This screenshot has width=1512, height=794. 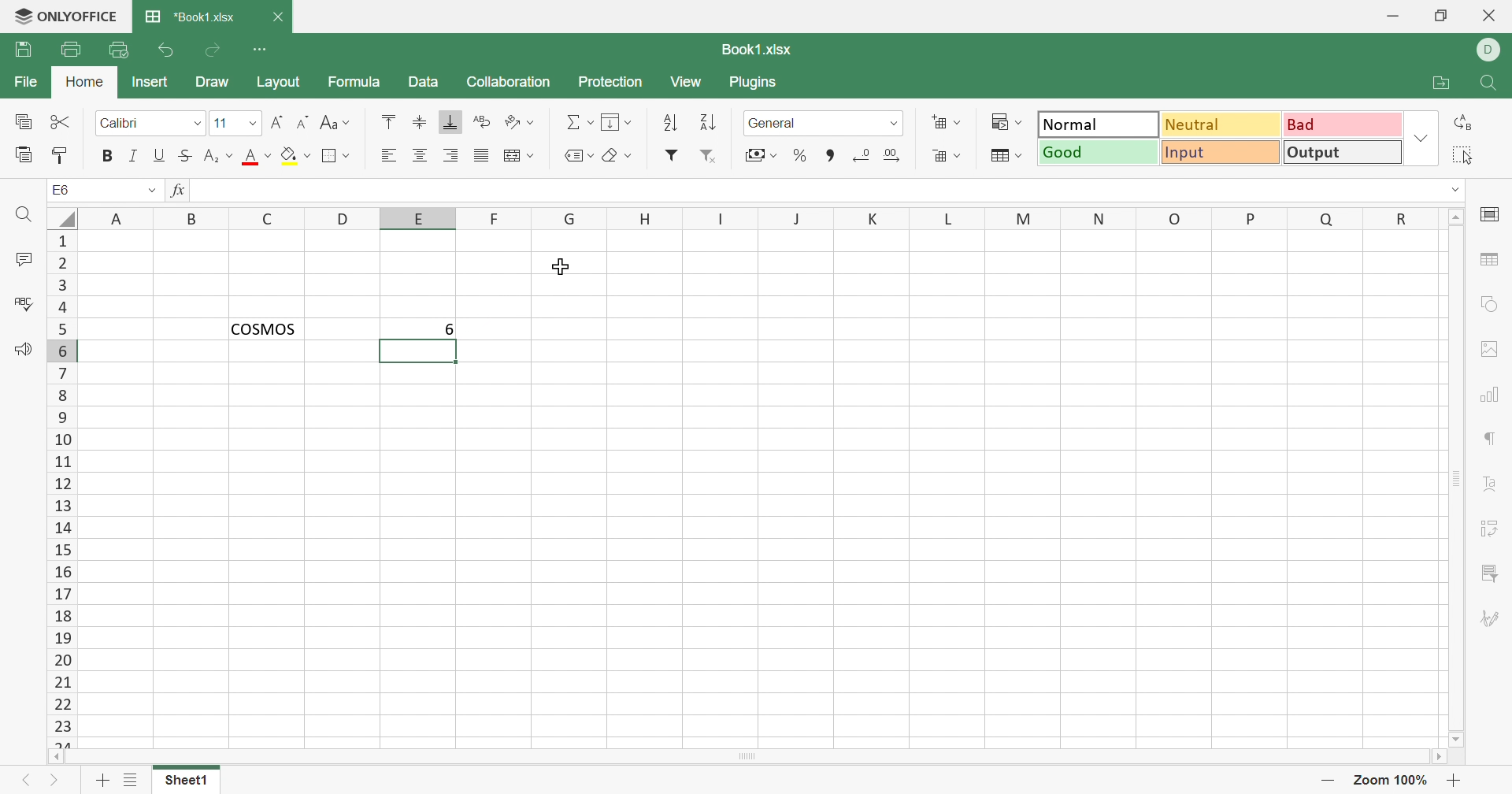 I want to click on Open file location, so click(x=1442, y=83).